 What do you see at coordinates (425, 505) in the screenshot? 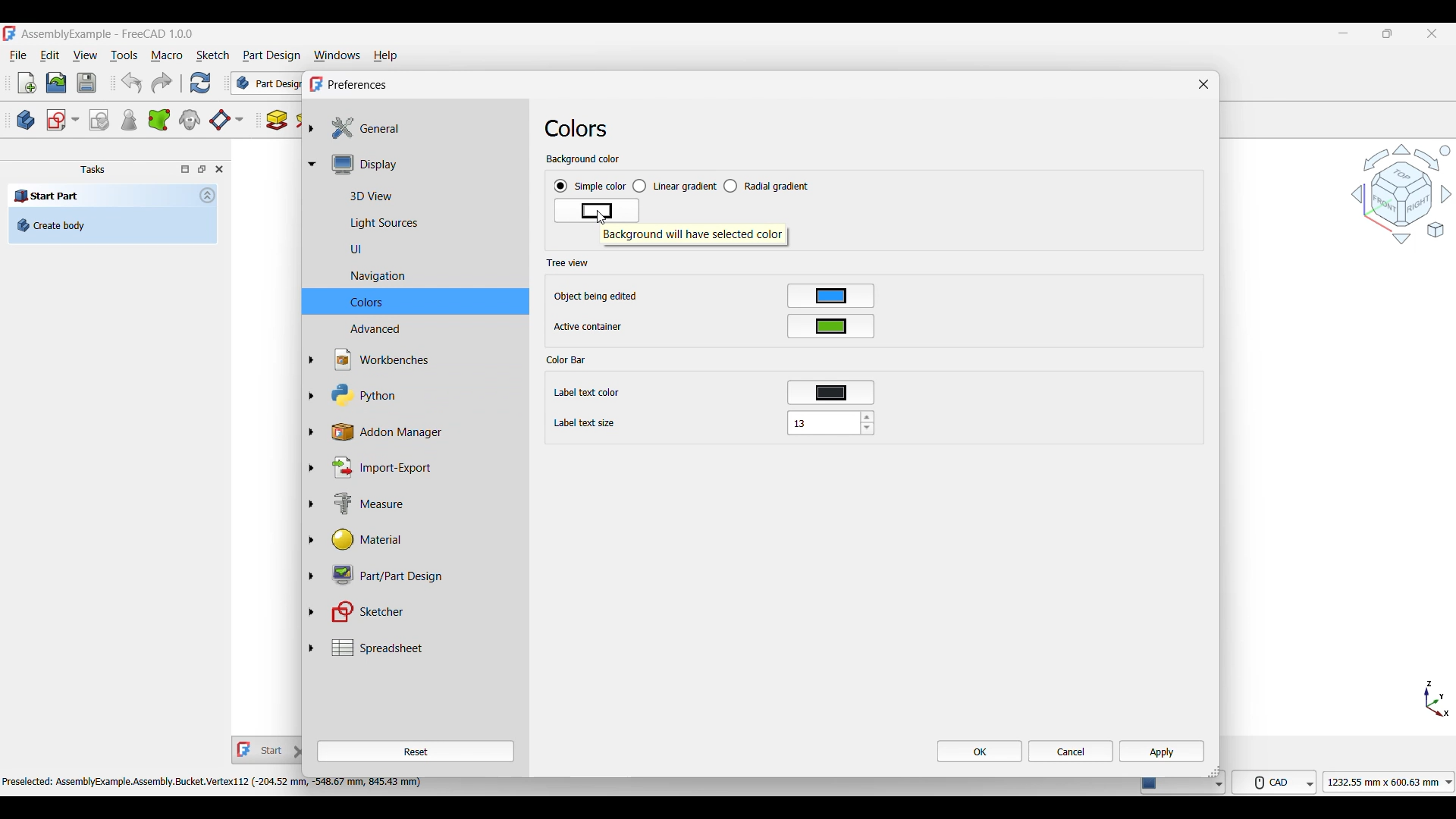
I see `Measure` at bounding box center [425, 505].